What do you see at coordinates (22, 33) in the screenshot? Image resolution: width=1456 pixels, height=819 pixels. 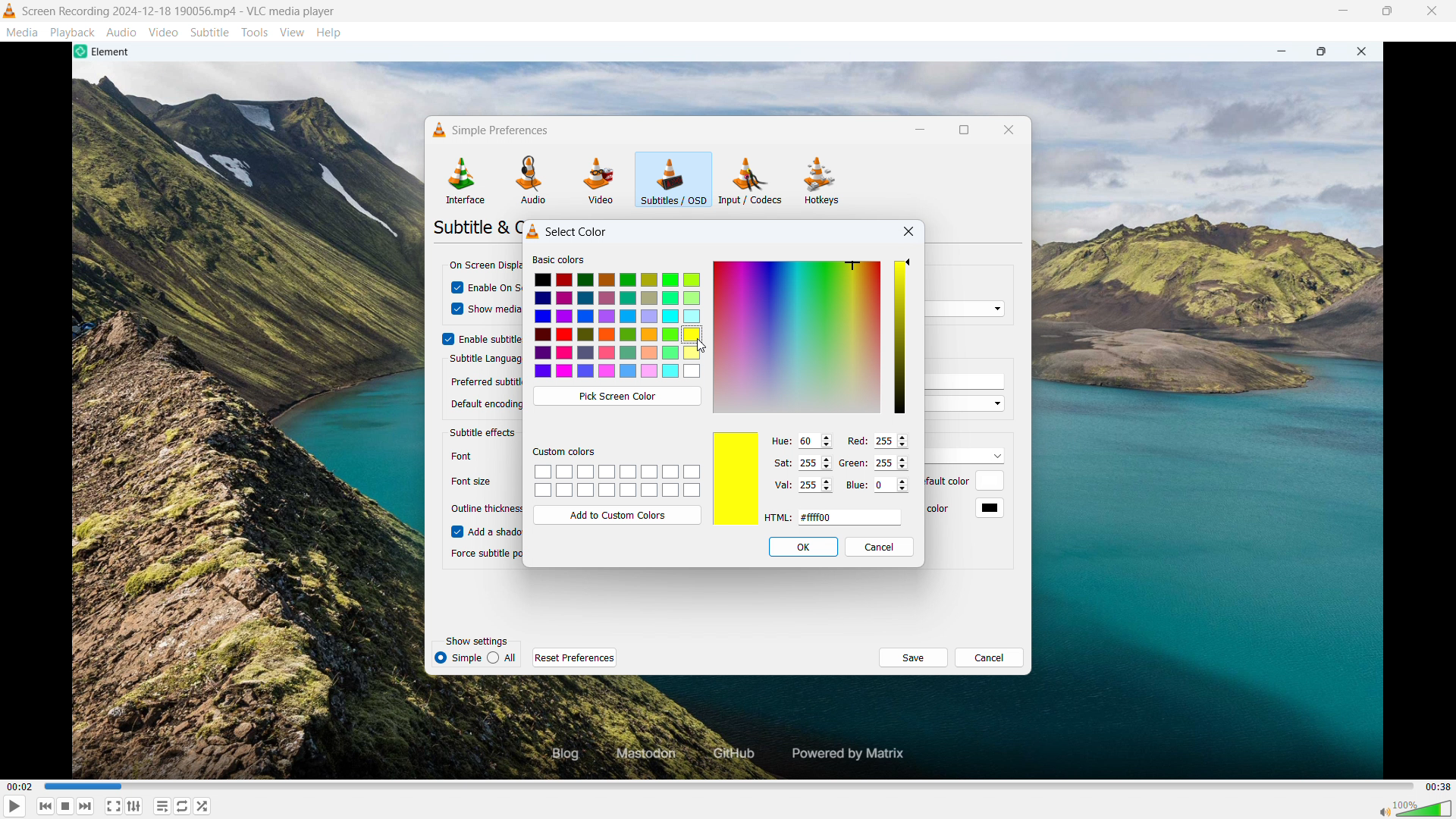 I see `Media ` at bounding box center [22, 33].